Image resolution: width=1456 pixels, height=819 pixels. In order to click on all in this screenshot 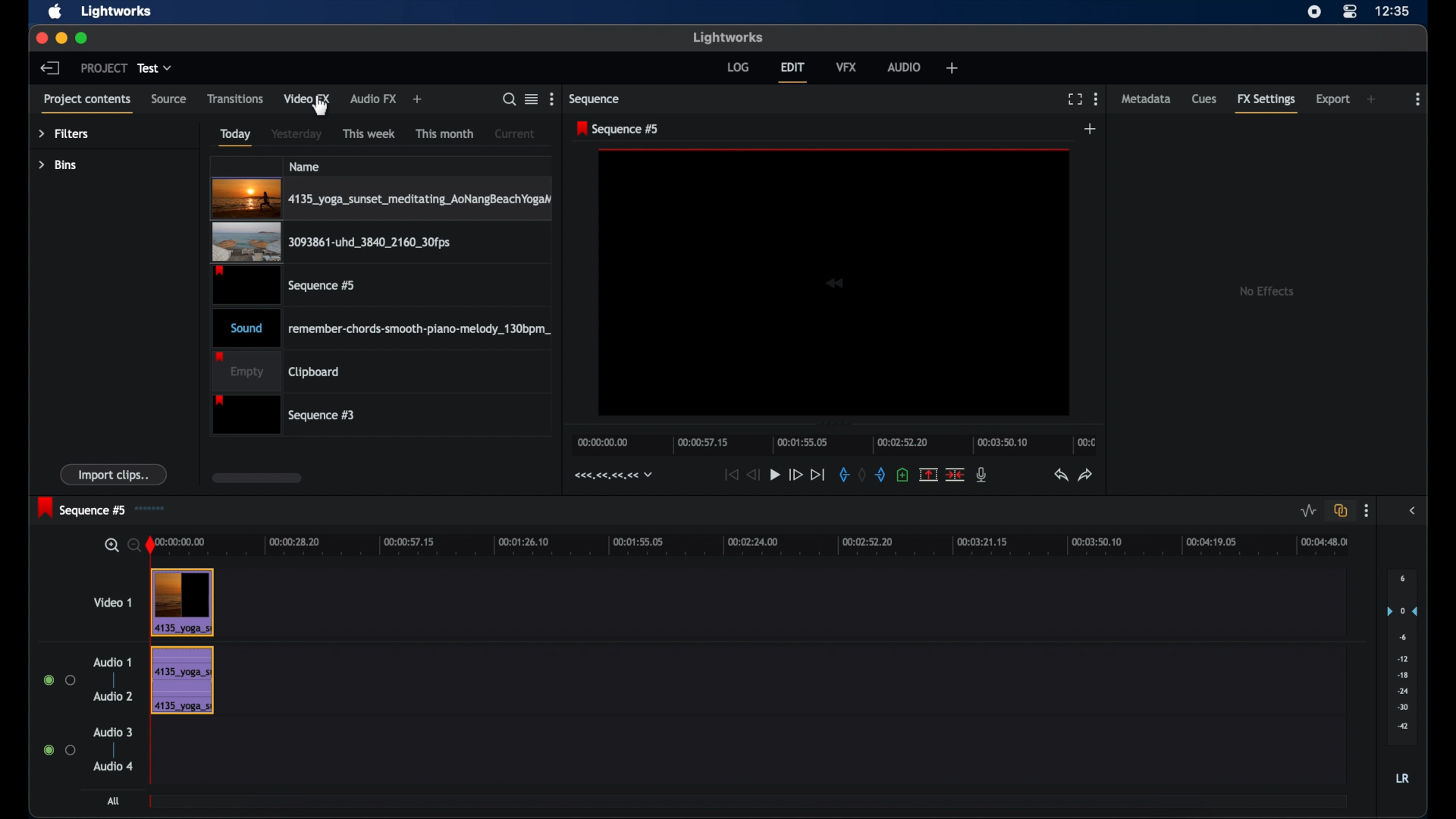, I will do `click(115, 802)`.